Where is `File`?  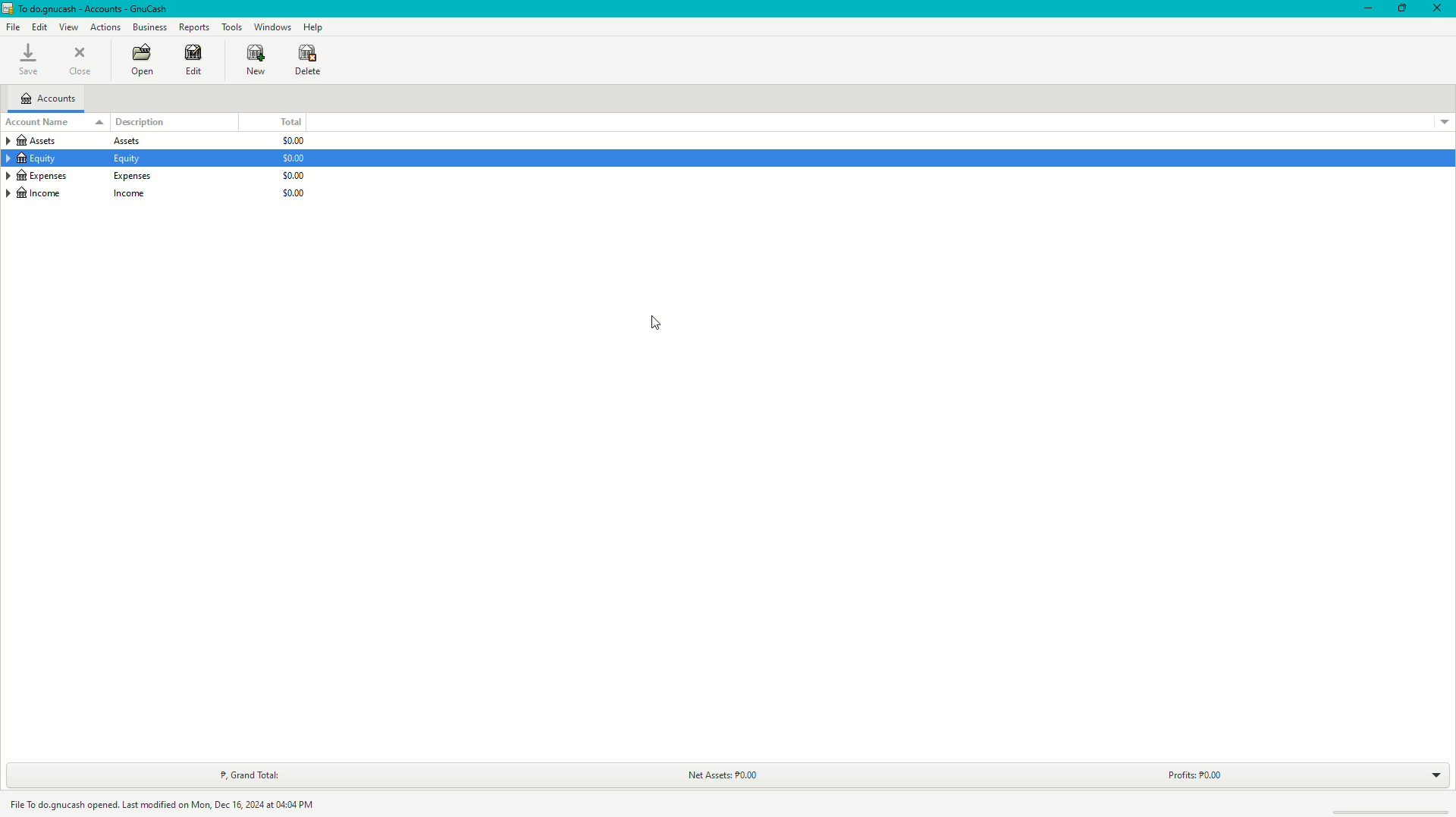
File is located at coordinates (14, 27).